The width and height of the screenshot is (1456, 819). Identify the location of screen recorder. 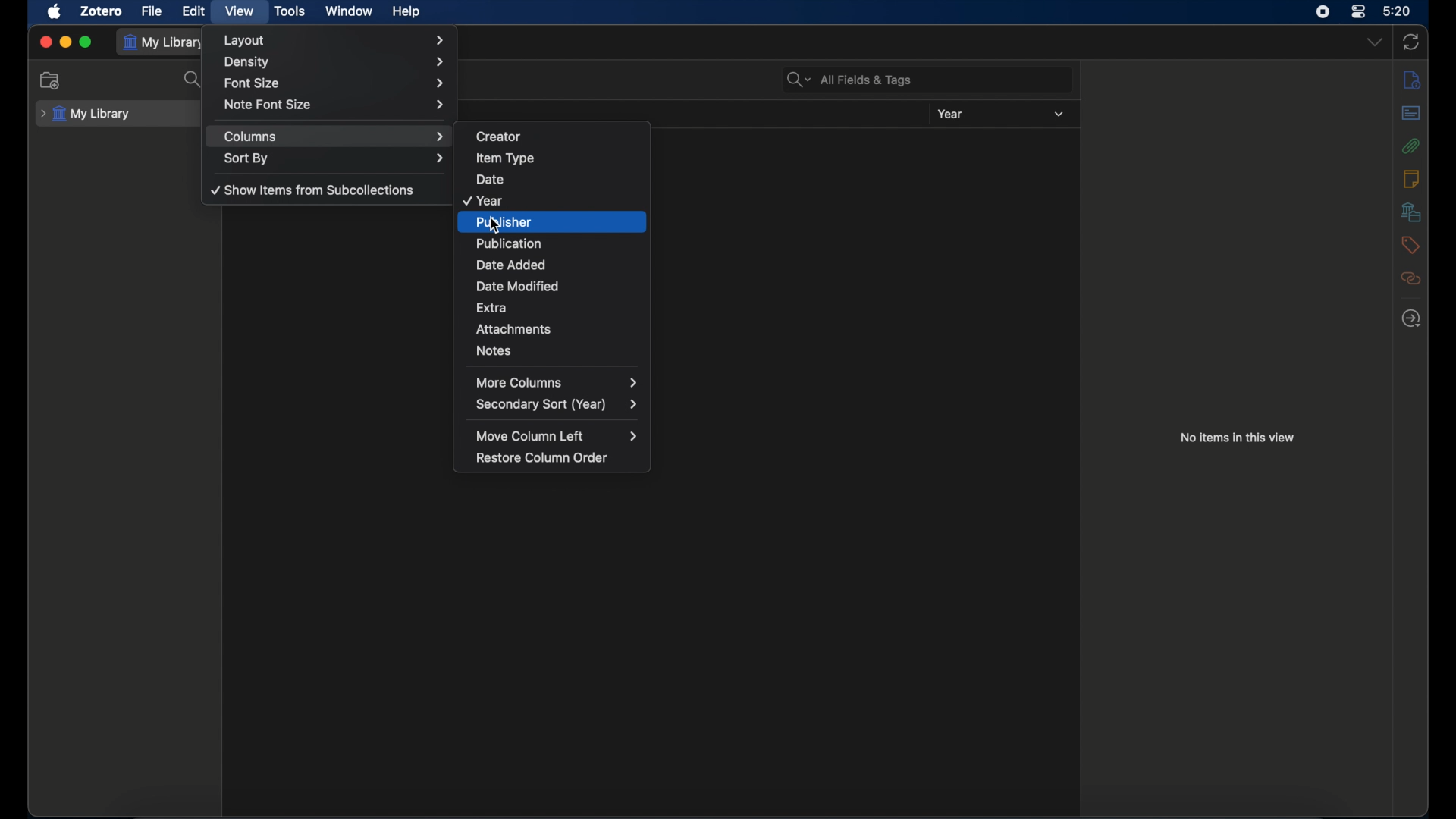
(1323, 11).